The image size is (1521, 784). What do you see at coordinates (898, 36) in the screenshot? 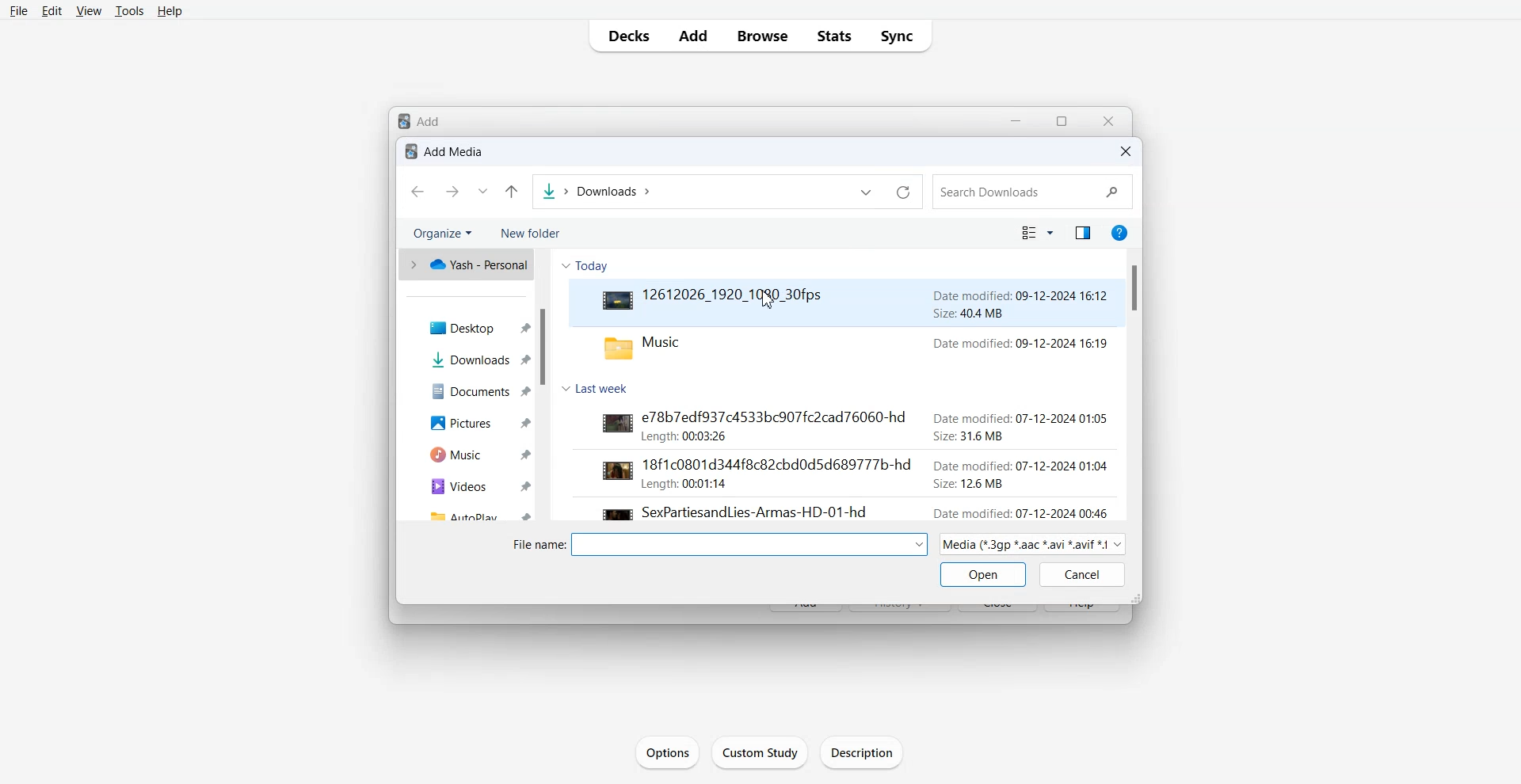
I see `Sync` at bounding box center [898, 36].